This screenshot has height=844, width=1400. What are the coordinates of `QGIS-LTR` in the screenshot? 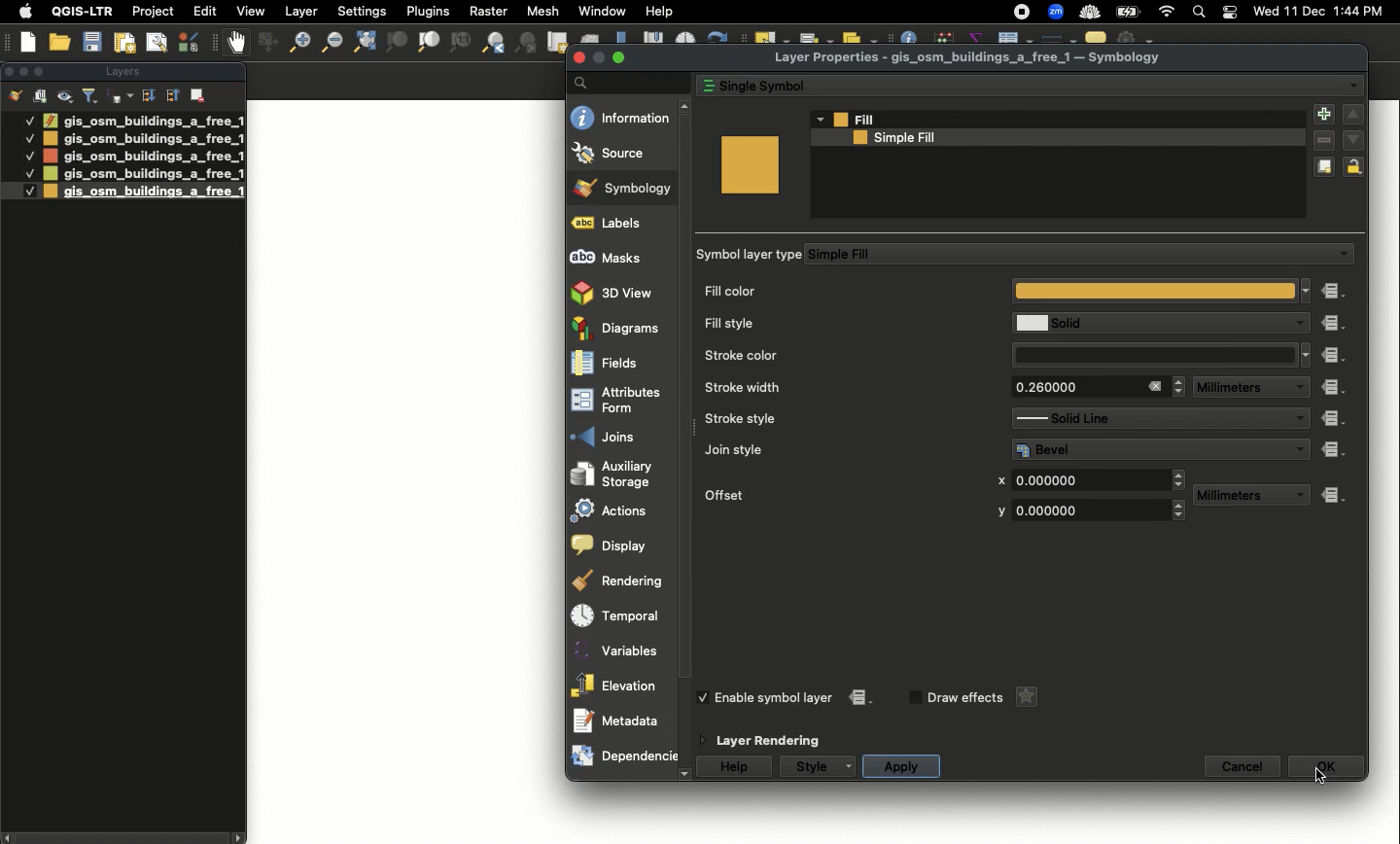 It's located at (83, 11).